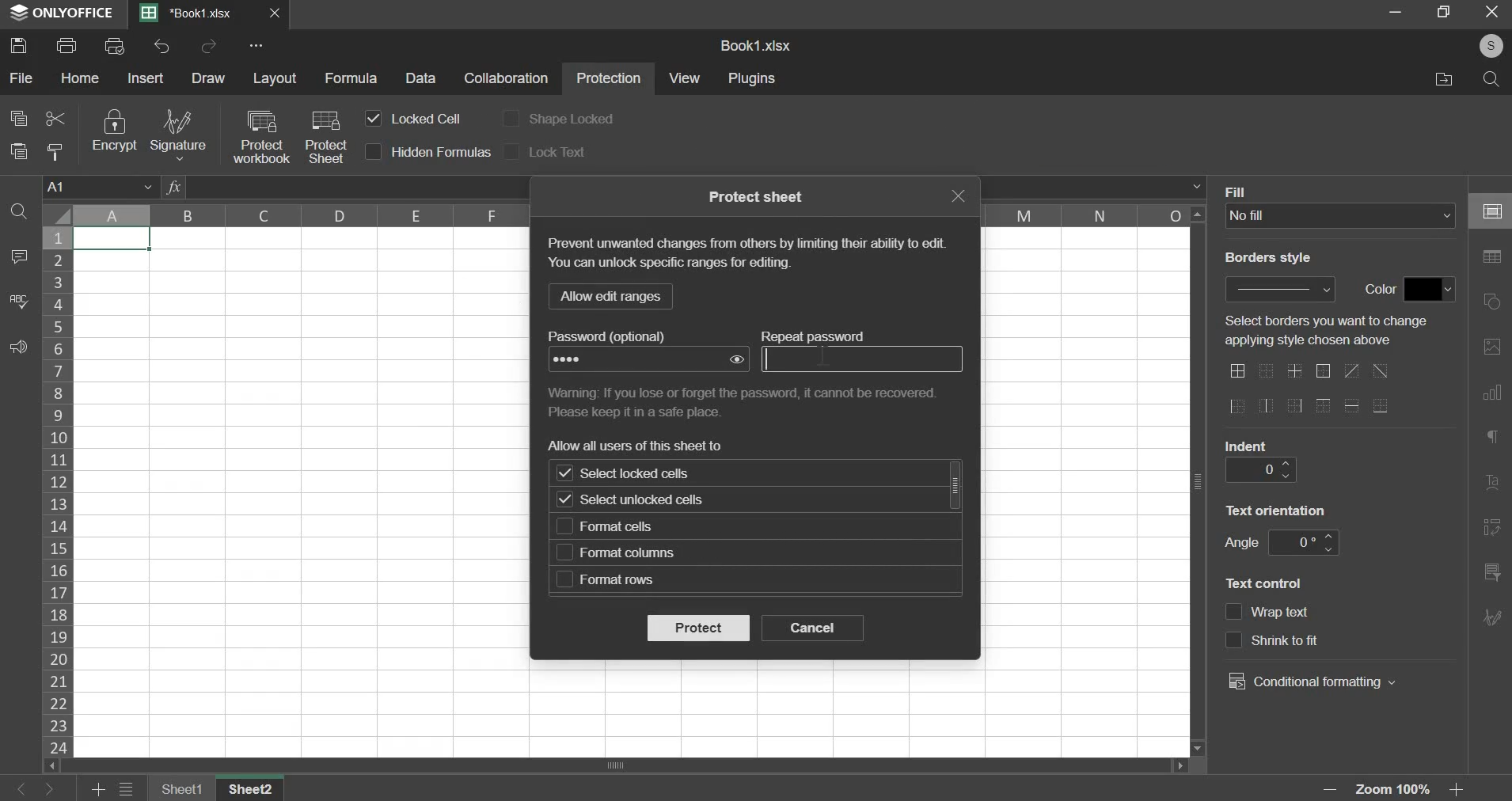 This screenshot has width=1512, height=801. Describe the element at coordinates (20, 211) in the screenshot. I see `find` at that location.